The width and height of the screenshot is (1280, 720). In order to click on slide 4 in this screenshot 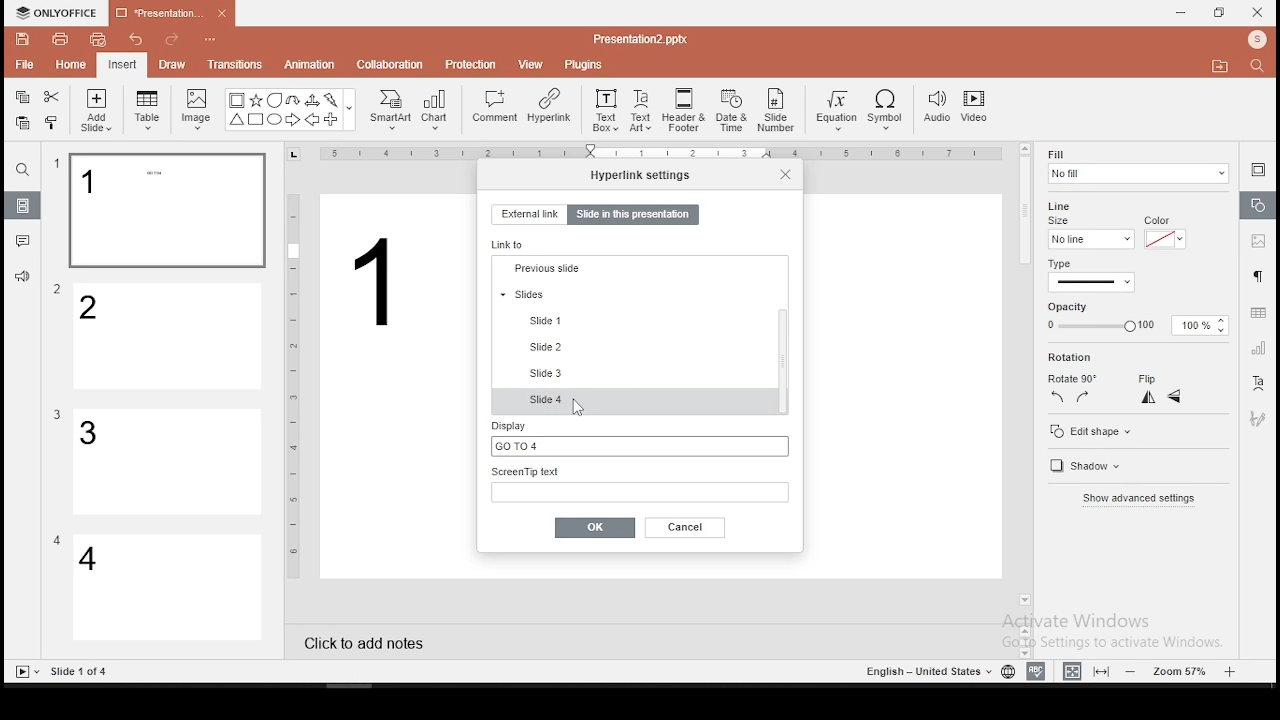, I will do `click(636, 402)`.